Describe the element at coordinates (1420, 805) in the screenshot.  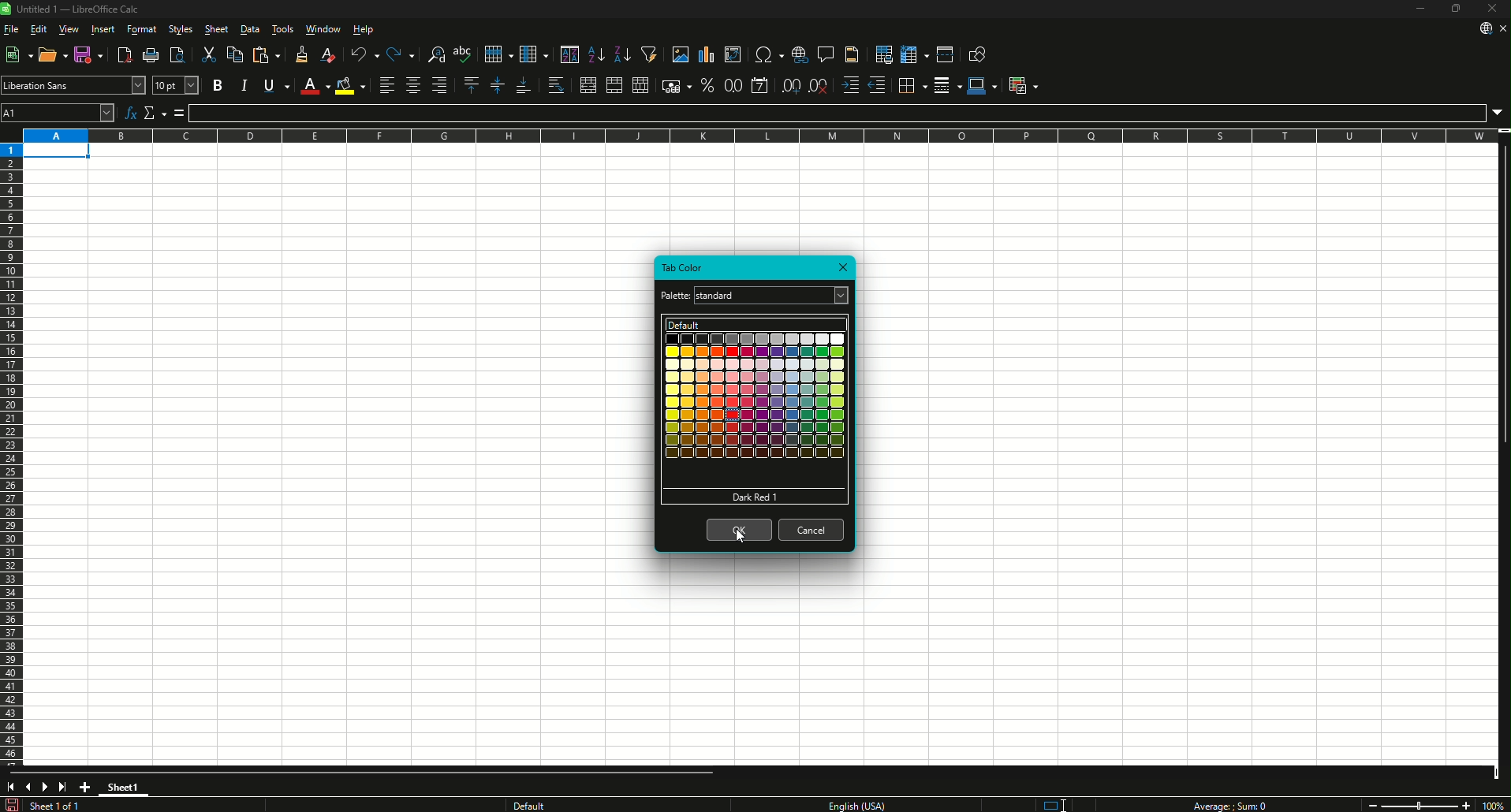
I see `Zoom slider` at that location.